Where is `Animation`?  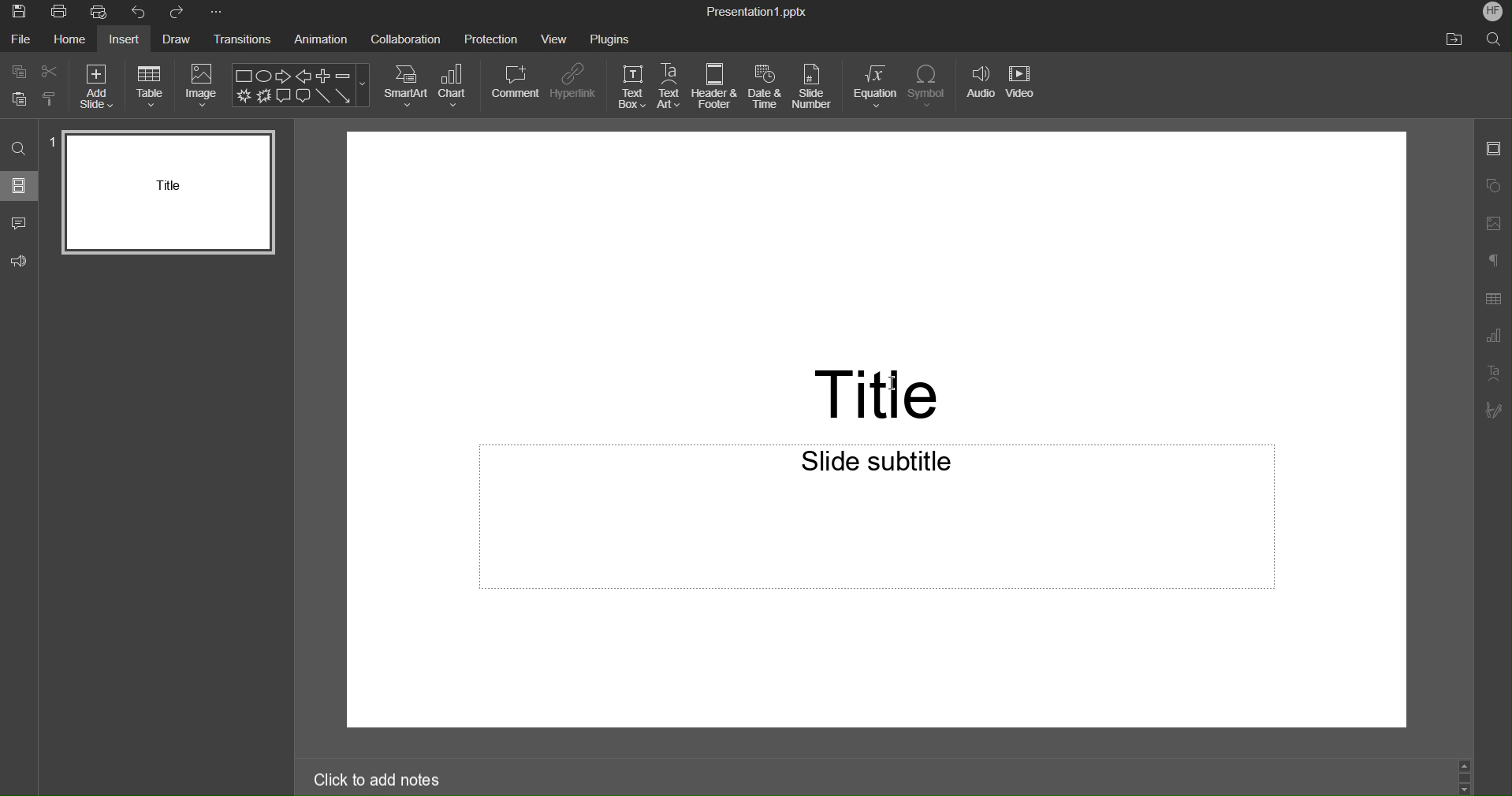
Animation is located at coordinates (320, 41).